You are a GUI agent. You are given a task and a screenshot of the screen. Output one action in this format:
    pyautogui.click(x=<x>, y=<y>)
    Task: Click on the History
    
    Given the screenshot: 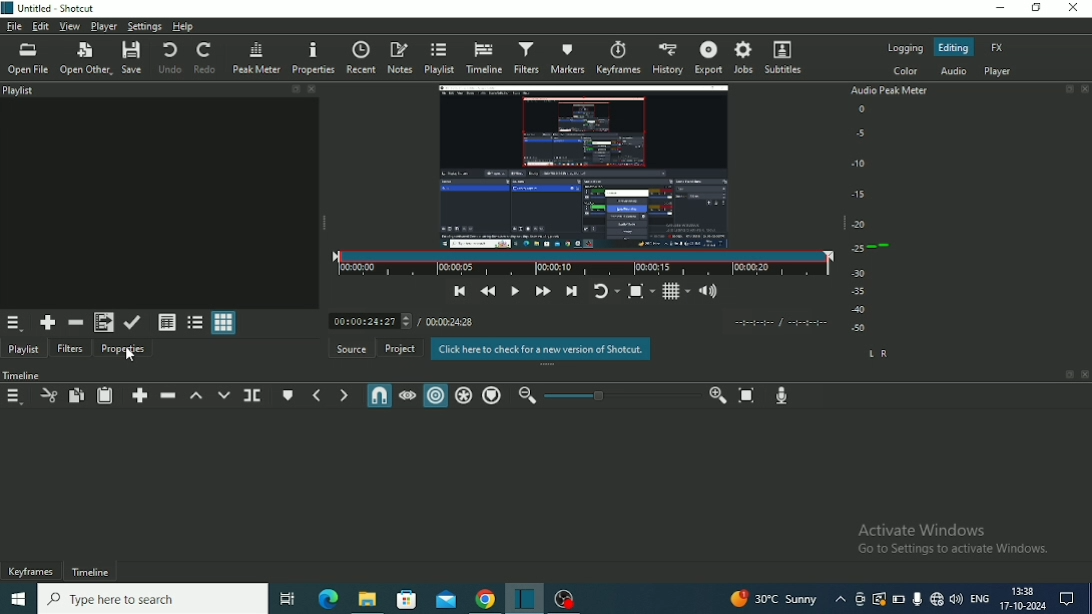 What is the action you would take?
    pyautogui.click(x=669, y=58)
    